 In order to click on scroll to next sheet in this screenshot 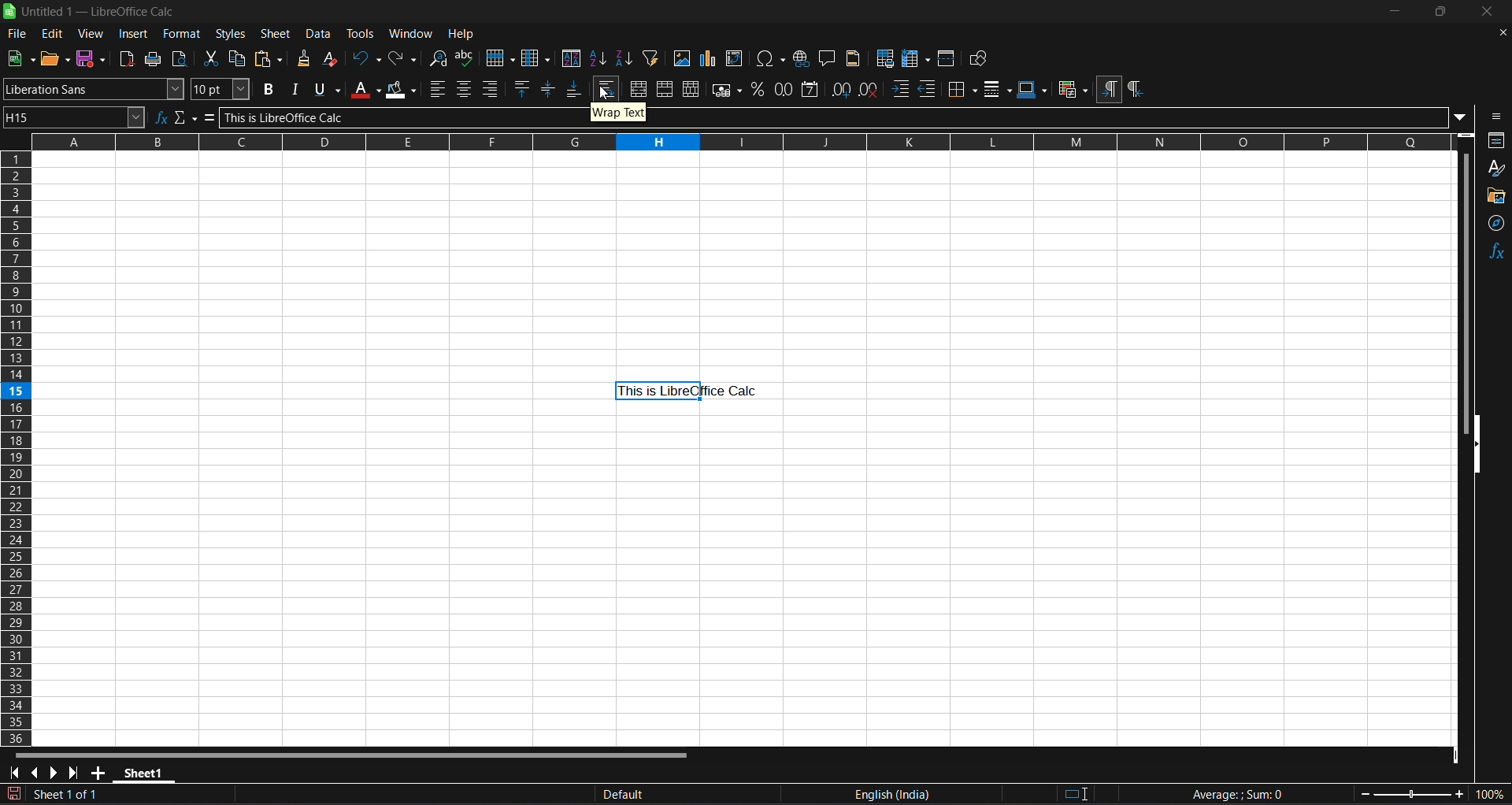, I will do `click(56, 772)`.